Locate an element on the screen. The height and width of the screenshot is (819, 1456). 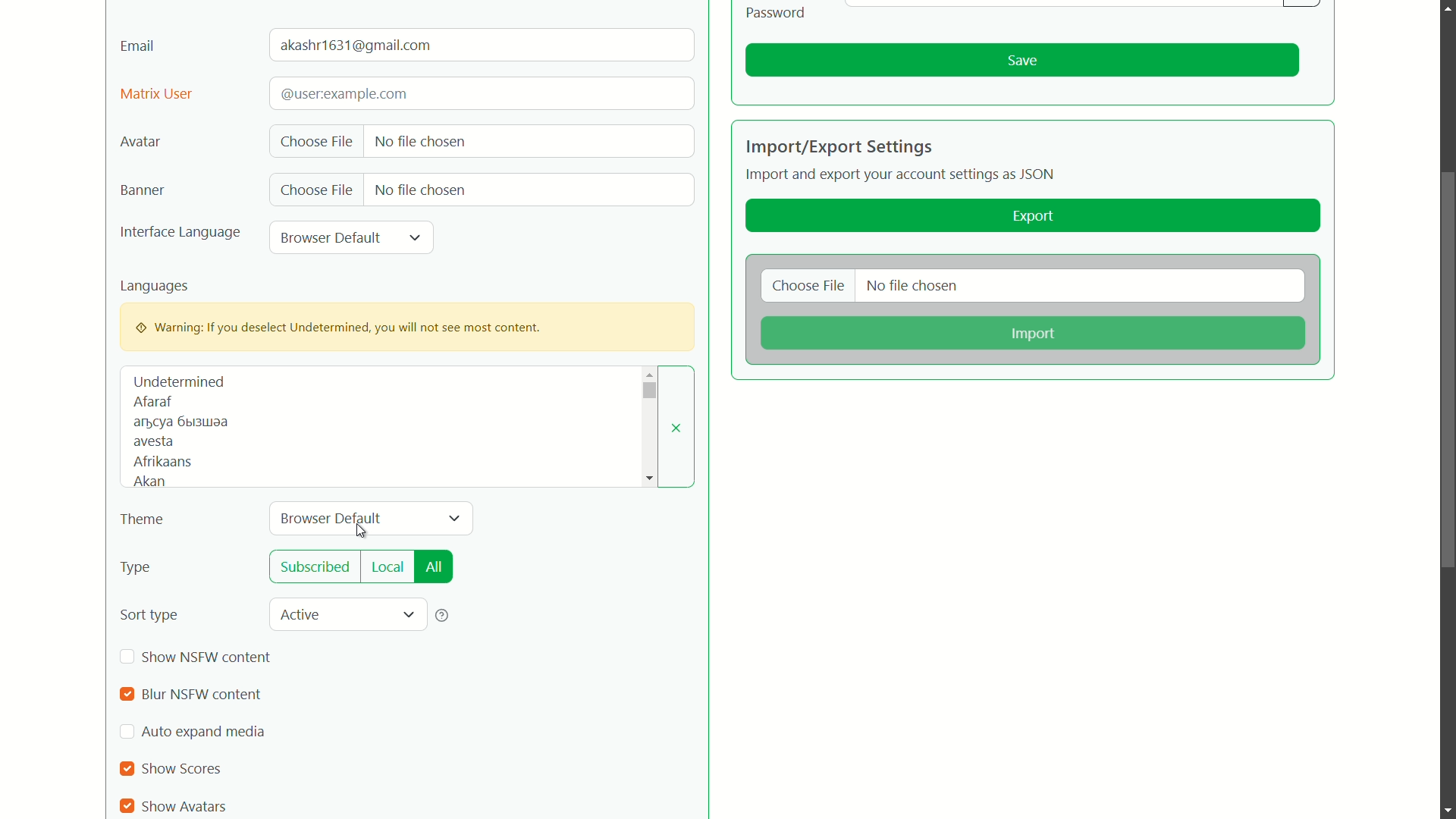
theme is located at coordinates (143, 520).